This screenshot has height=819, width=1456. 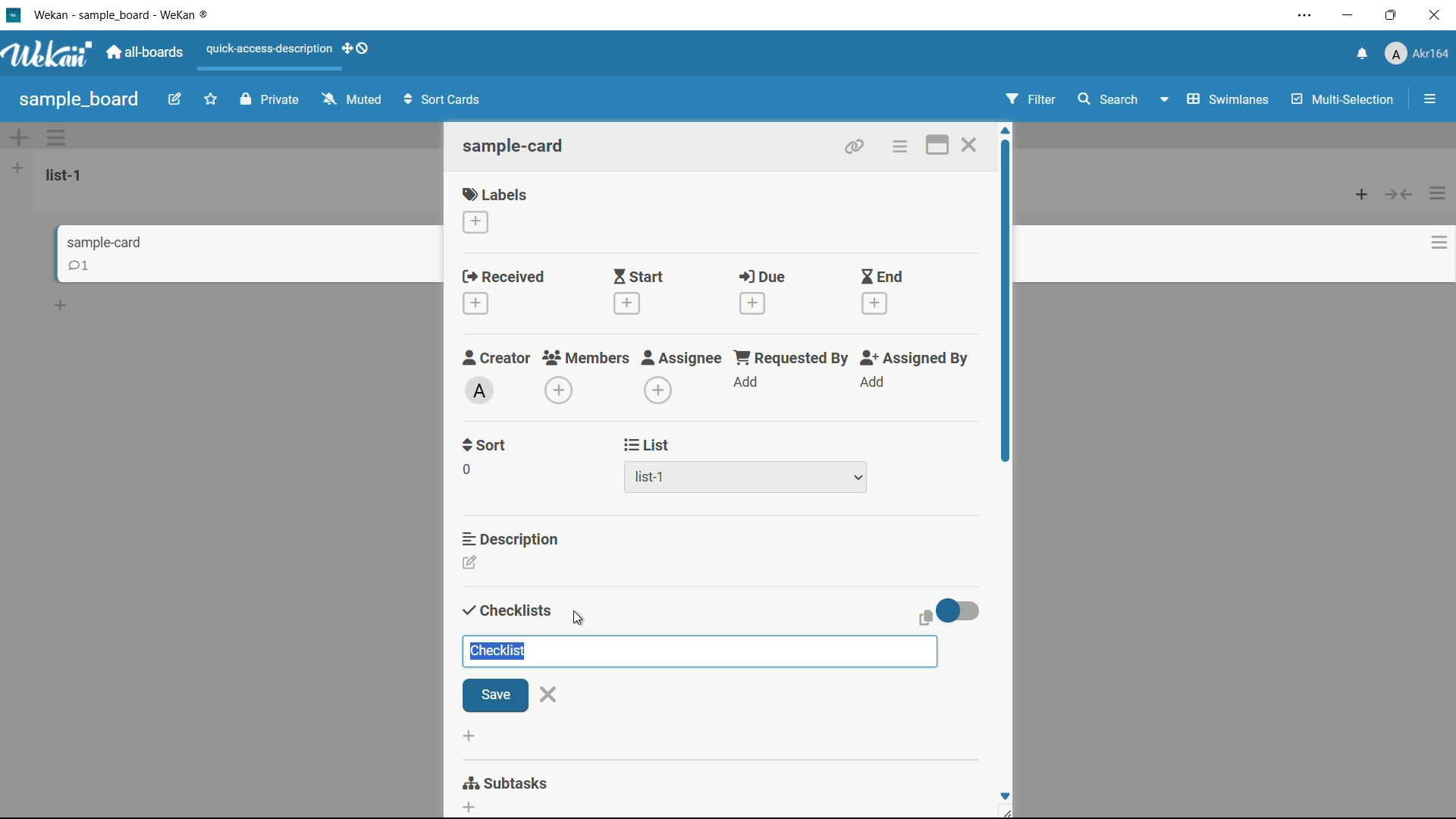 What do you see at coordinates (515, 146) in the screenshot?
I see `sample-card` at bounding box center [515, 146].